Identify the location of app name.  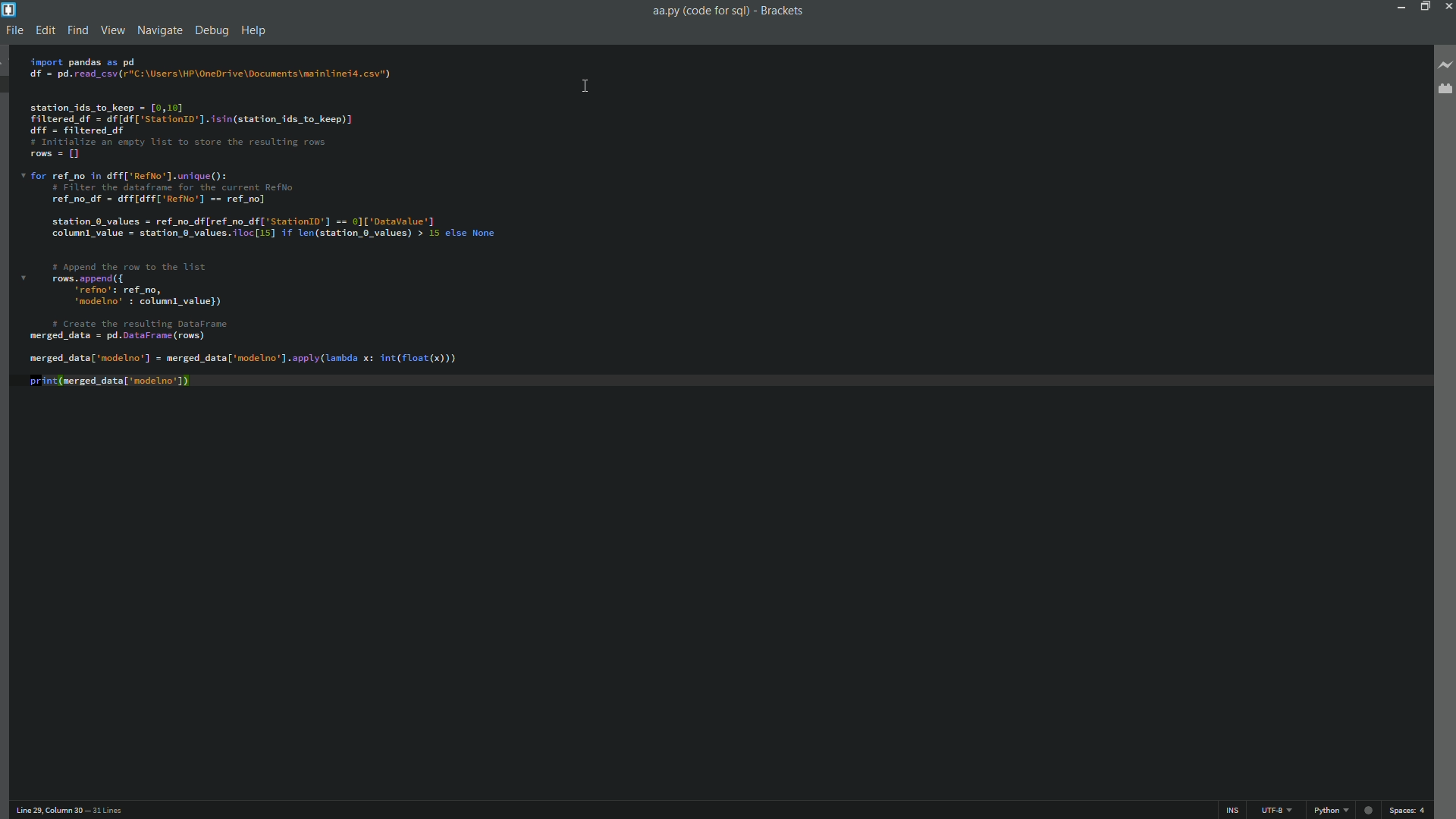
(781, 12).